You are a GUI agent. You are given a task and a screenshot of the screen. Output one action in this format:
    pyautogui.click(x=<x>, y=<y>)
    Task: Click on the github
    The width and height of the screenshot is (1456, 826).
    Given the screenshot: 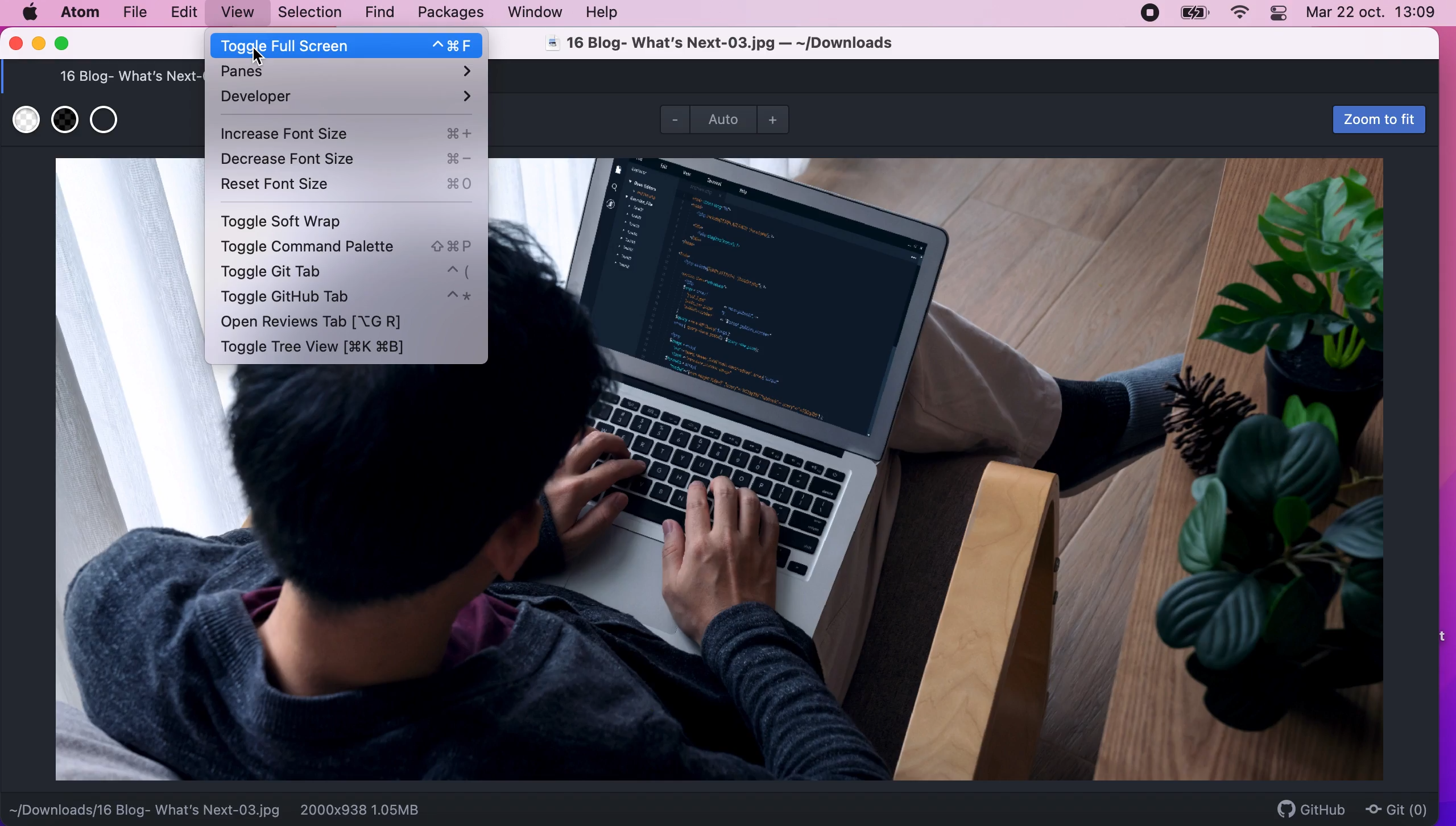 What is the action you would take?
    pyautogui.click(x=1312, y=808)
    